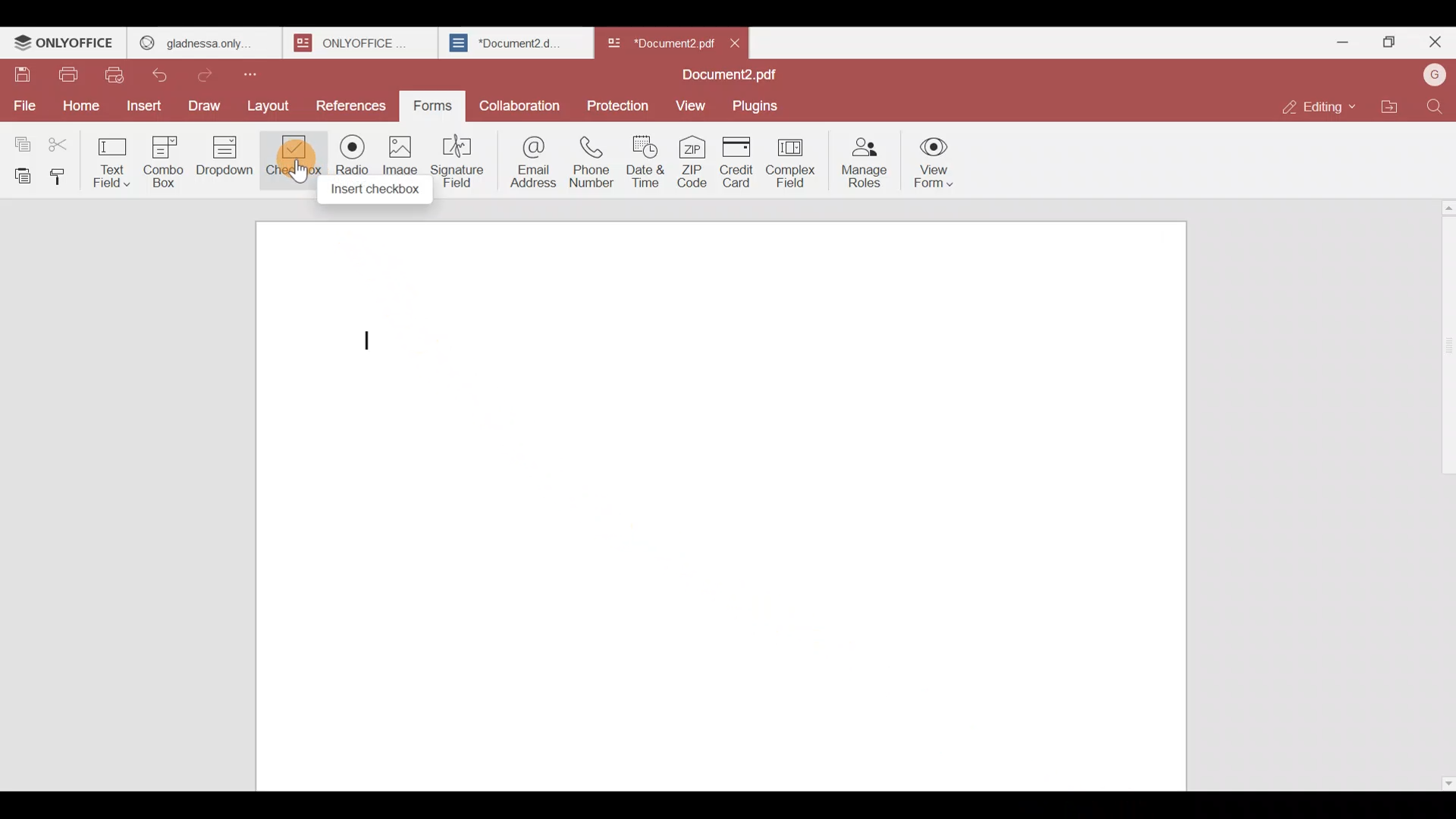 The image size is (1456, 819). I want to click on Credit card, so click(733, 163).